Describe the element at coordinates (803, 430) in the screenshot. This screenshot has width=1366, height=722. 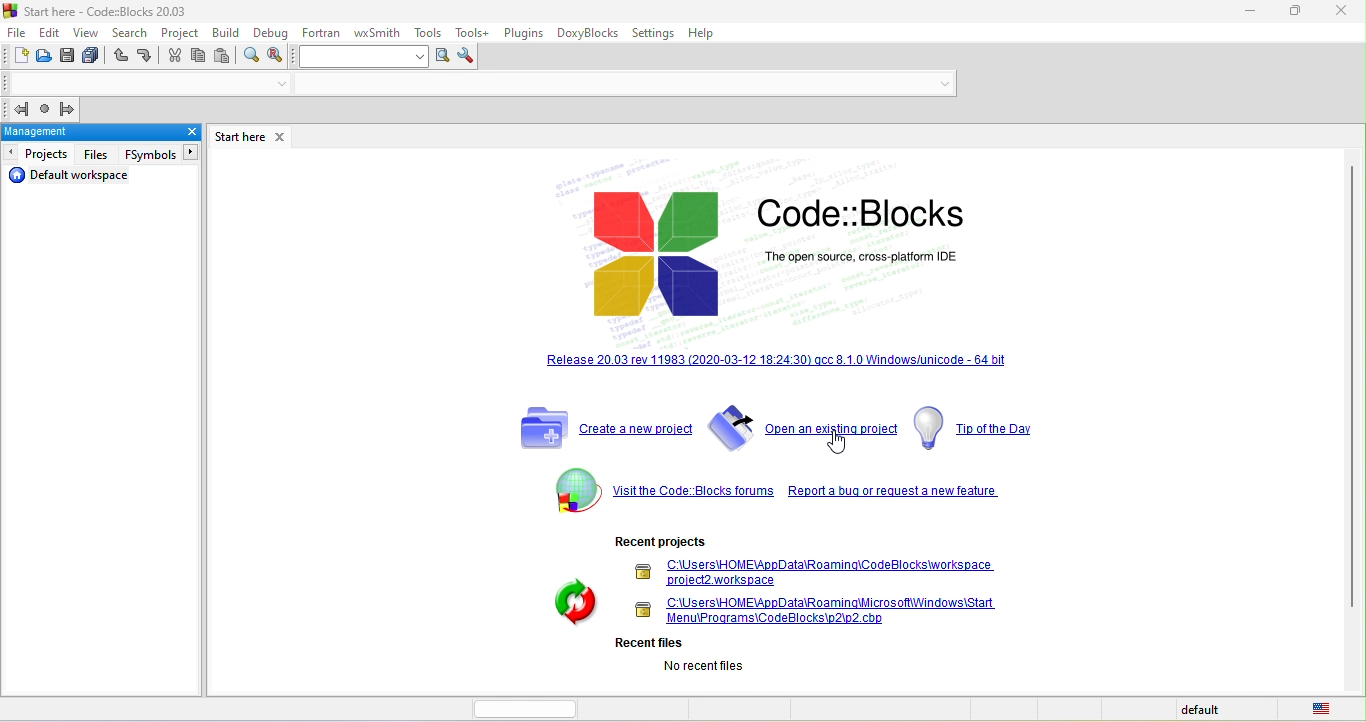
I see `open an  existing project` at that location.